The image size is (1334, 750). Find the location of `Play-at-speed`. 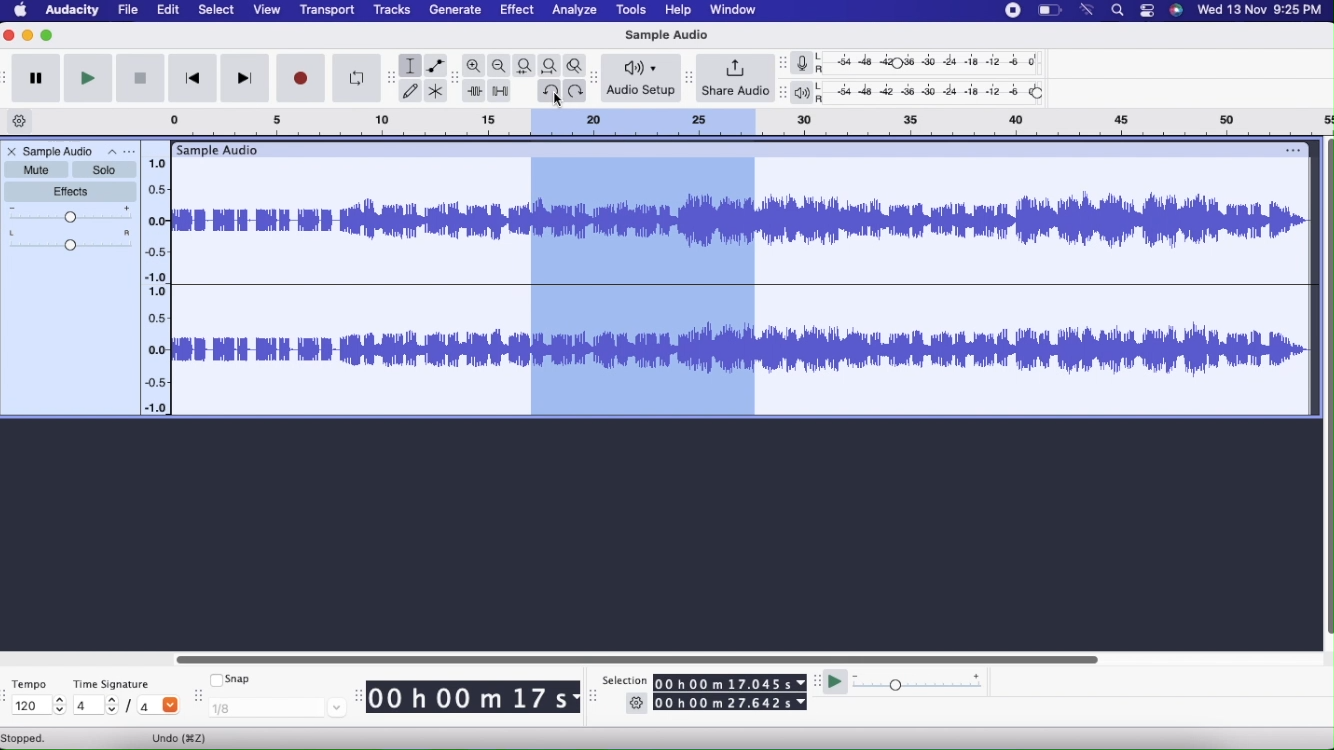

Play-at-speed is located at coordinates (837, 683).